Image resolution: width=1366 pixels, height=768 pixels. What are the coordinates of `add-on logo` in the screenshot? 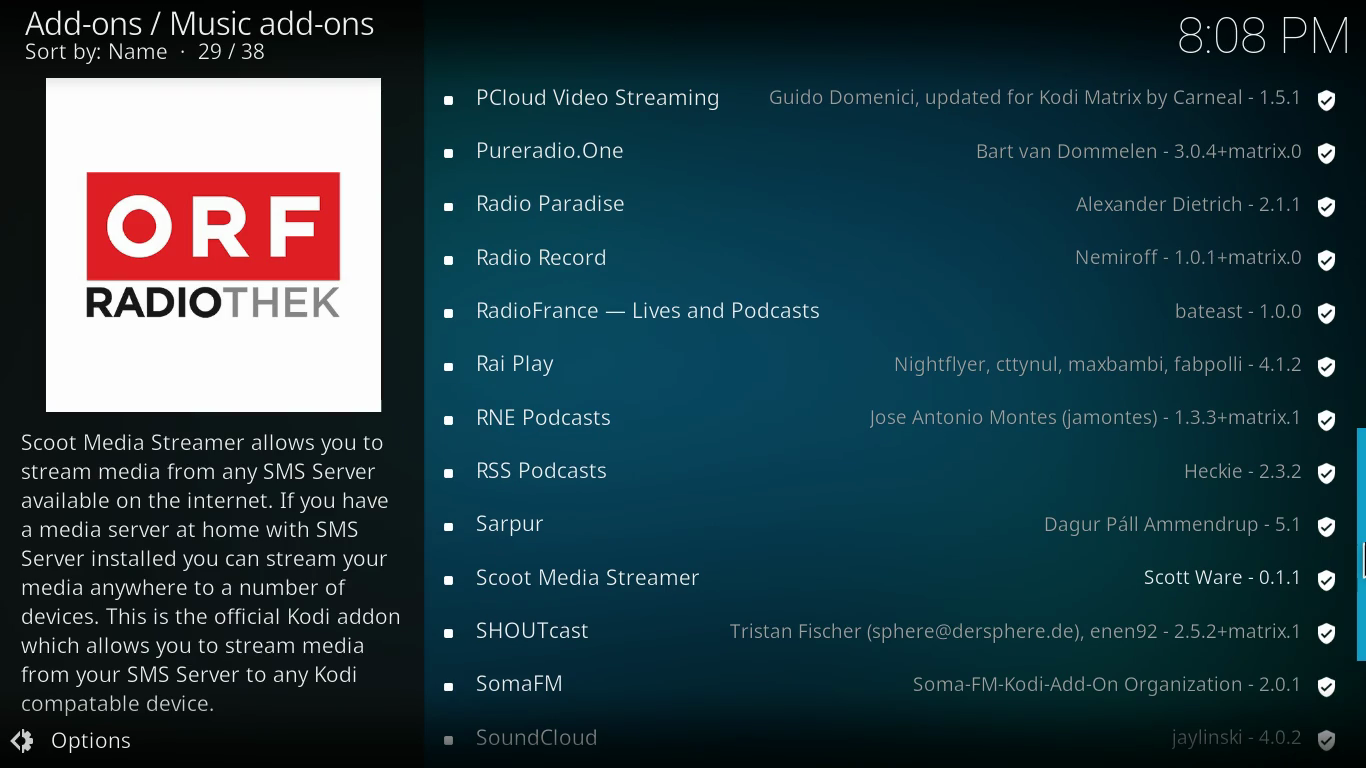 It's located at (206, 244).